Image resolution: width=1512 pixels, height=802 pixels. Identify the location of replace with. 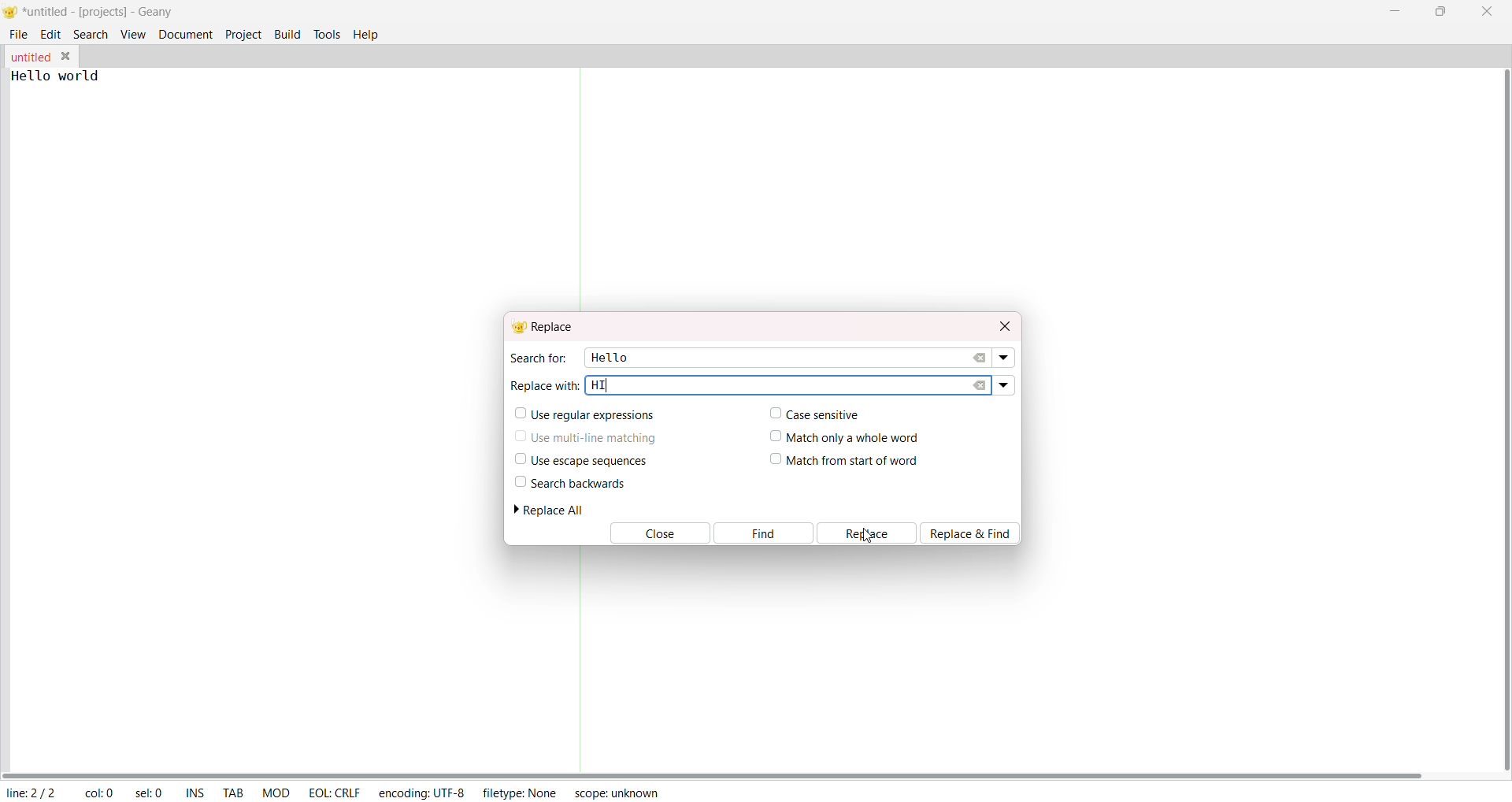
(545, 384).